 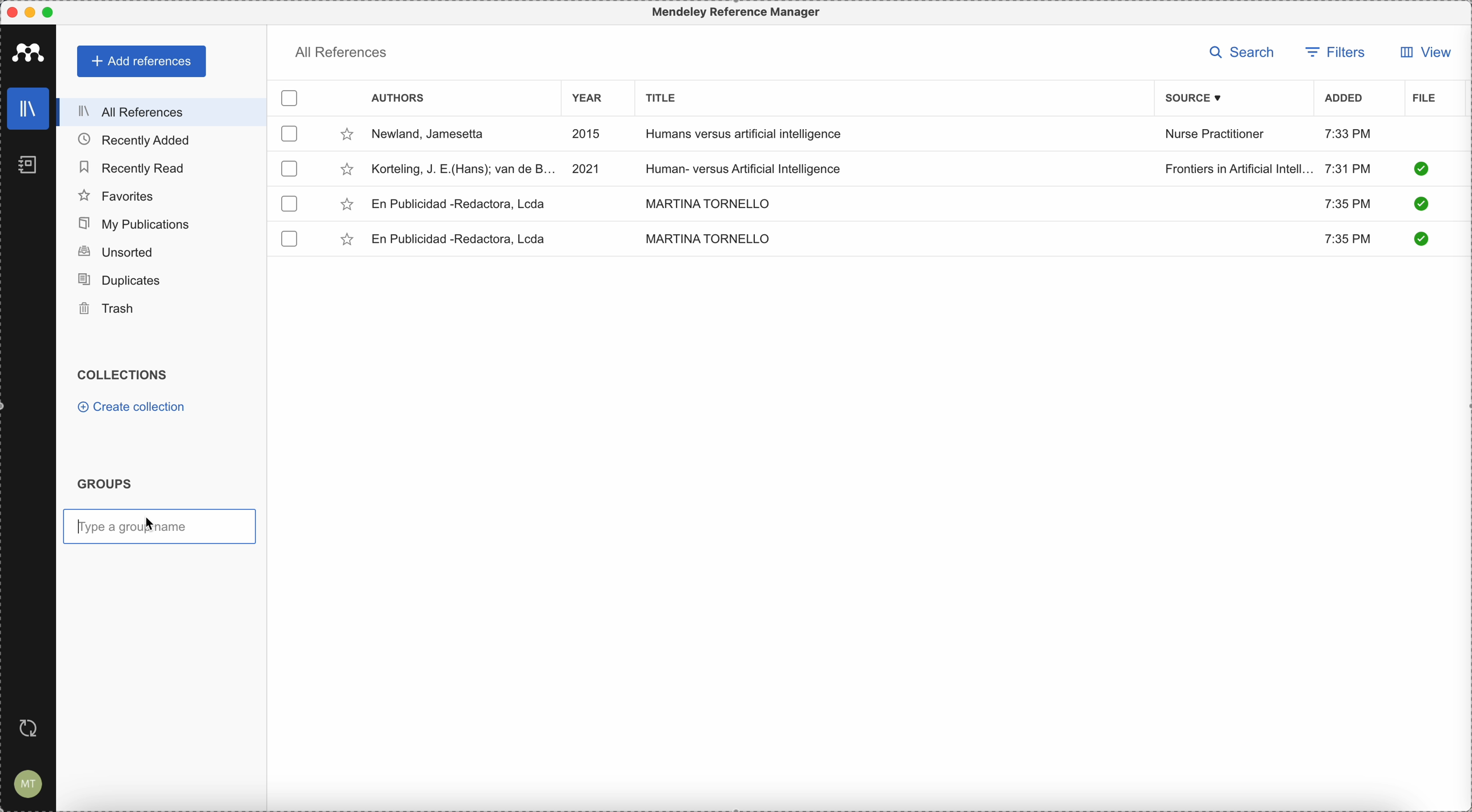 What do you see at coordinates (292, 205) in the screenshot?
I see `checkbox` at bounding box center [292, 205].